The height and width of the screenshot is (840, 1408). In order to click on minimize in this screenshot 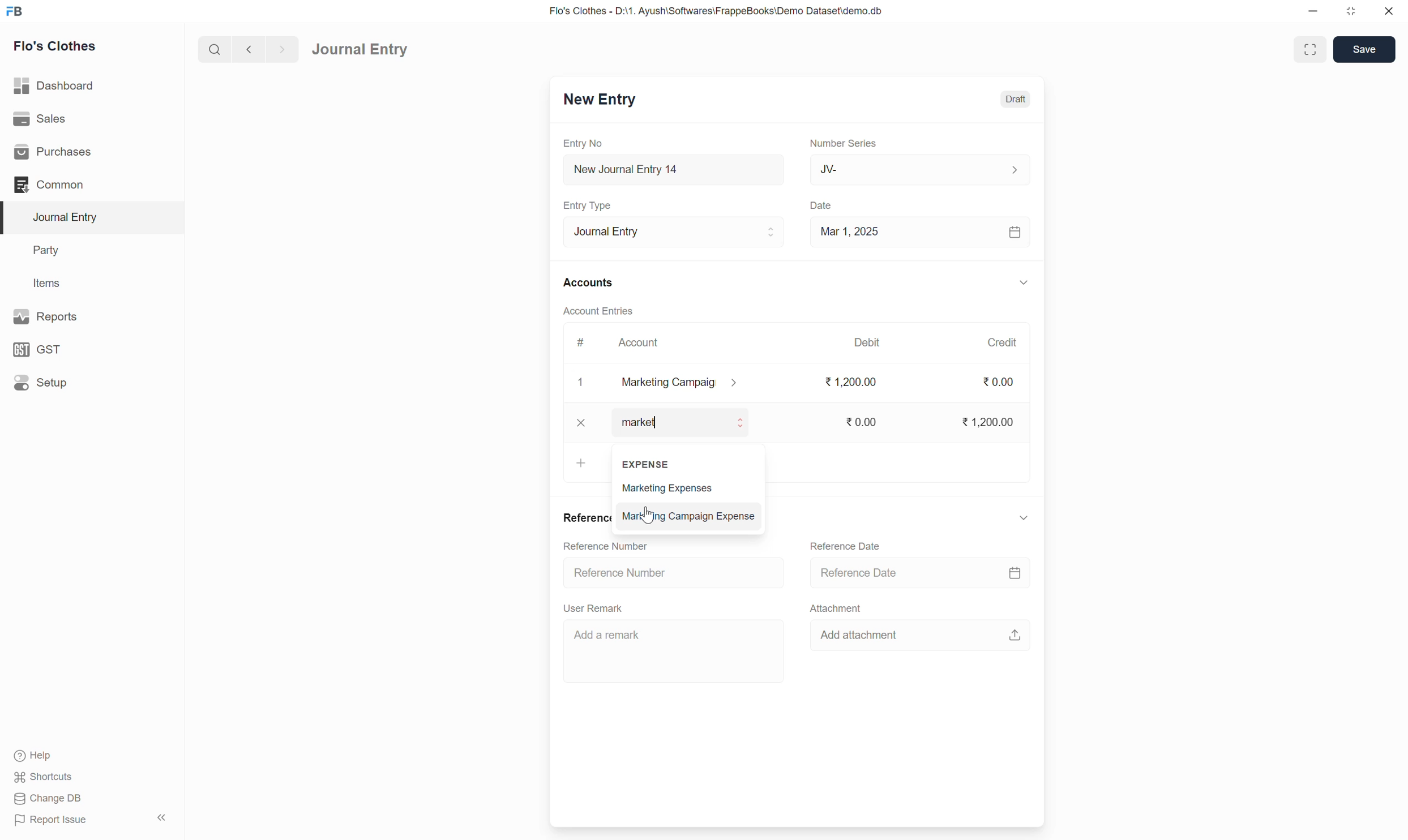, I will do `click(1313, 12)`.